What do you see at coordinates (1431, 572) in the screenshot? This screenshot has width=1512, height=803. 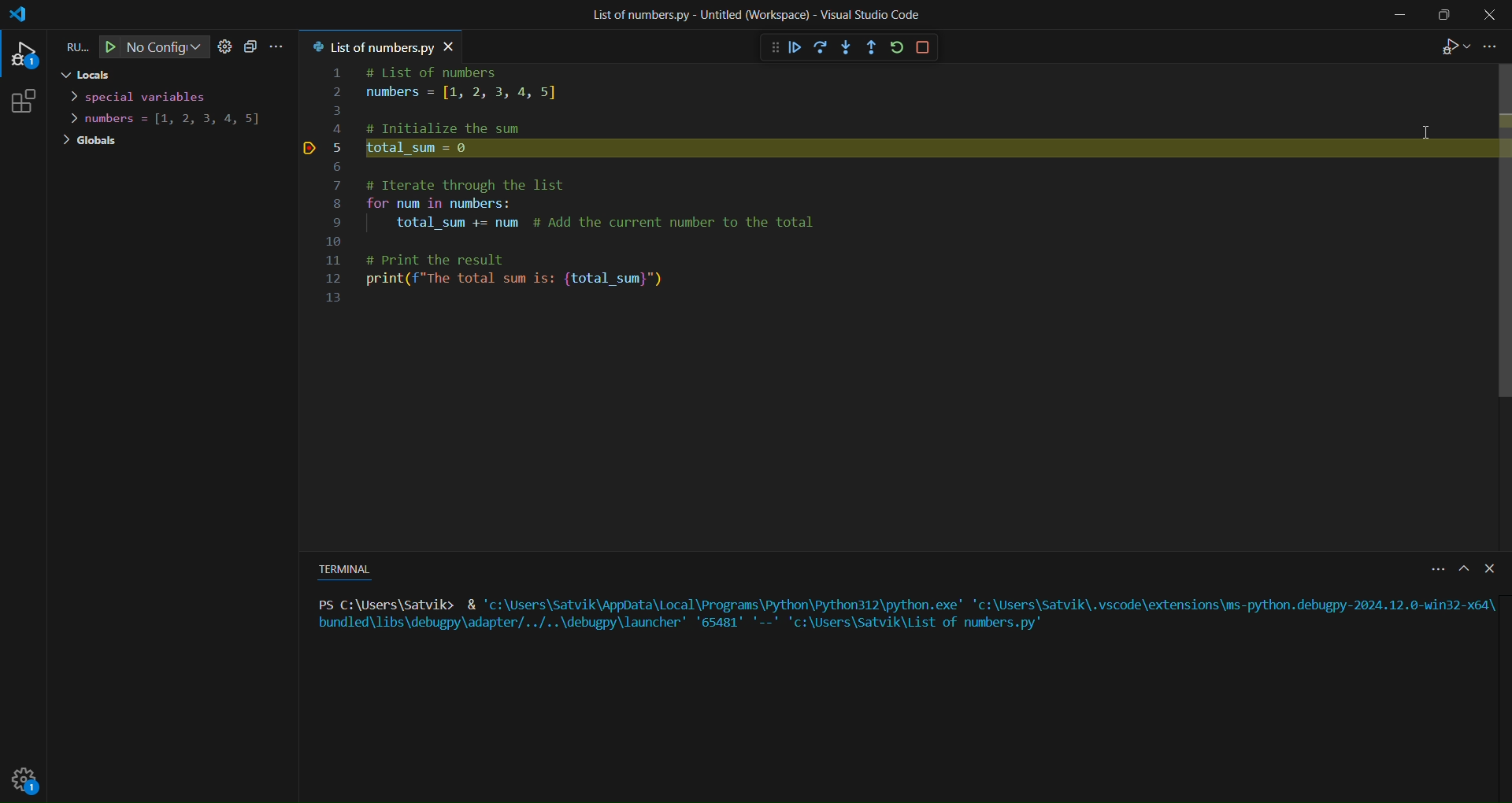 I see `more` at bounding box center [1431, 572].